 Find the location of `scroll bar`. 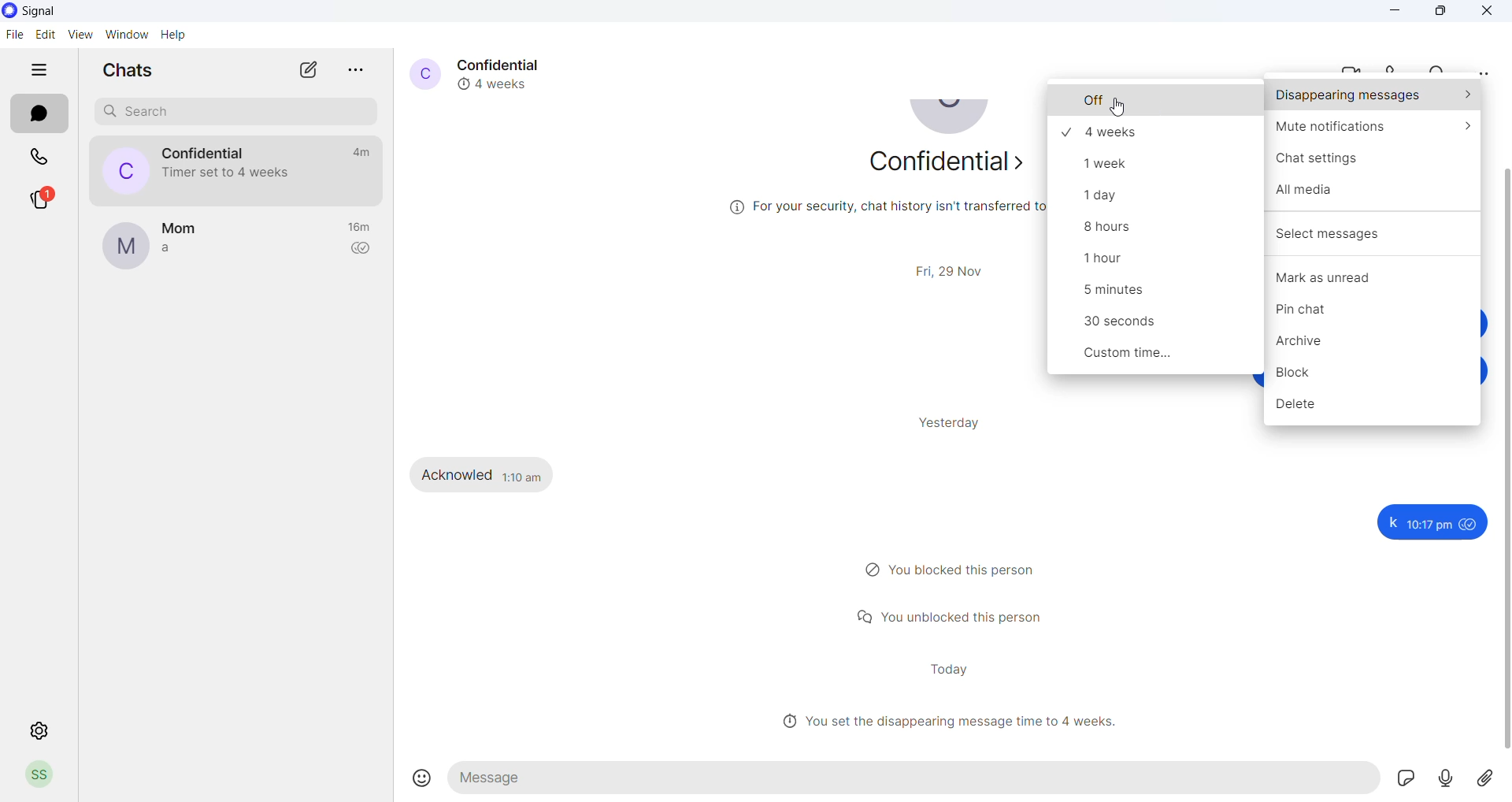

scroll bar is located at coordinates (1503, 462).